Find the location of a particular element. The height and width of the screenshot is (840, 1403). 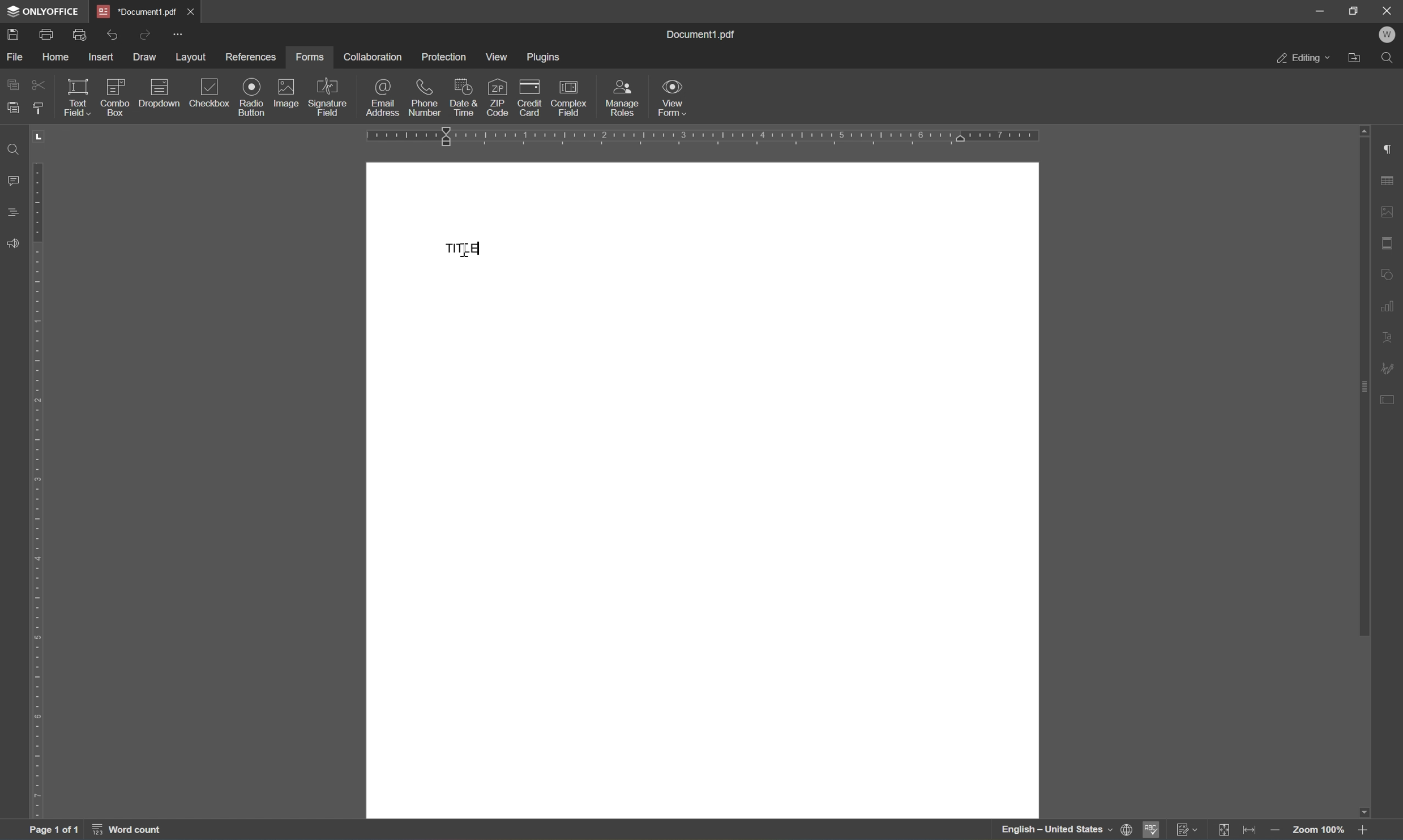

copy style is located at coordinates (38, 109).